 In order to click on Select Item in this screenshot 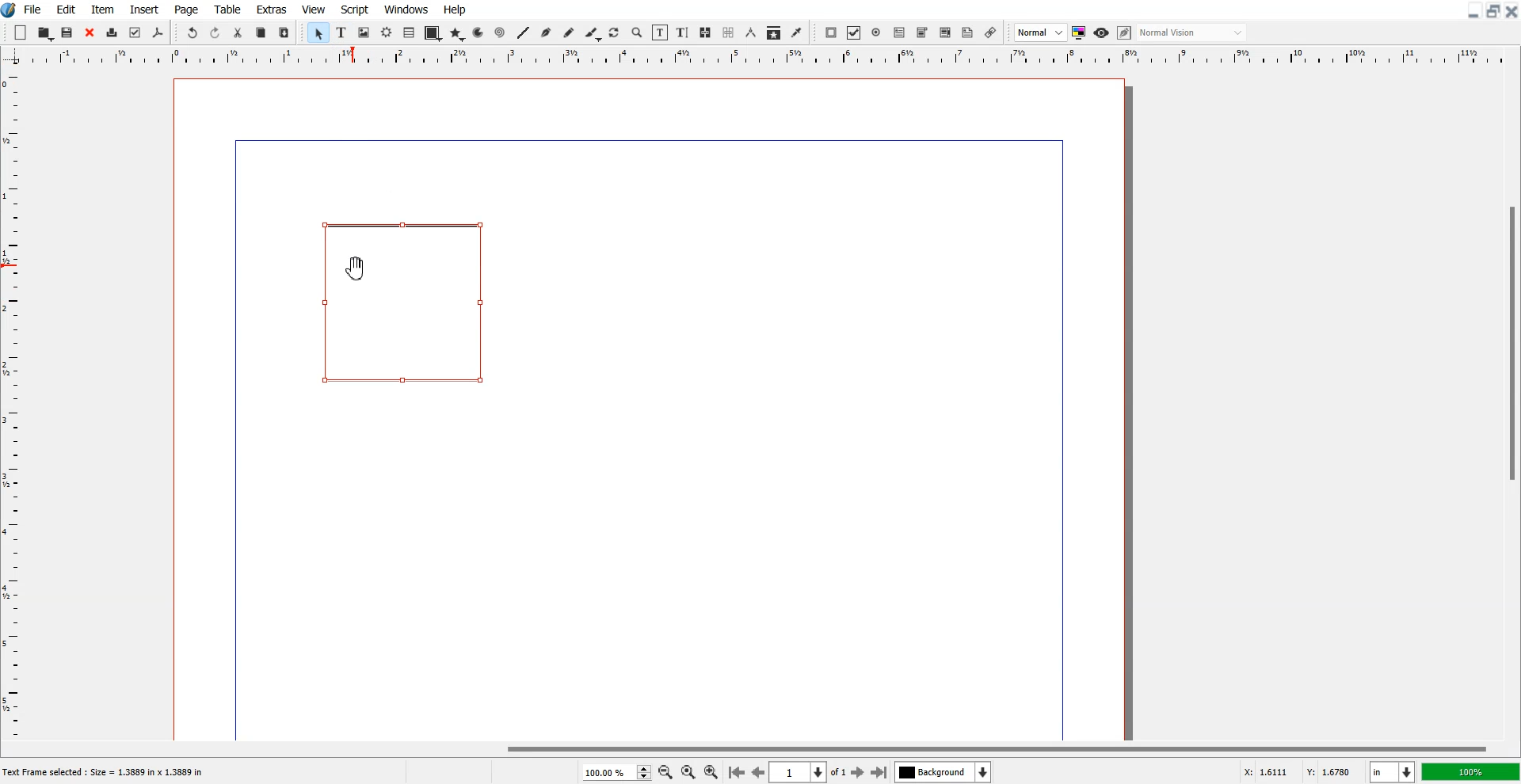, I will do `click(319, 32)`.